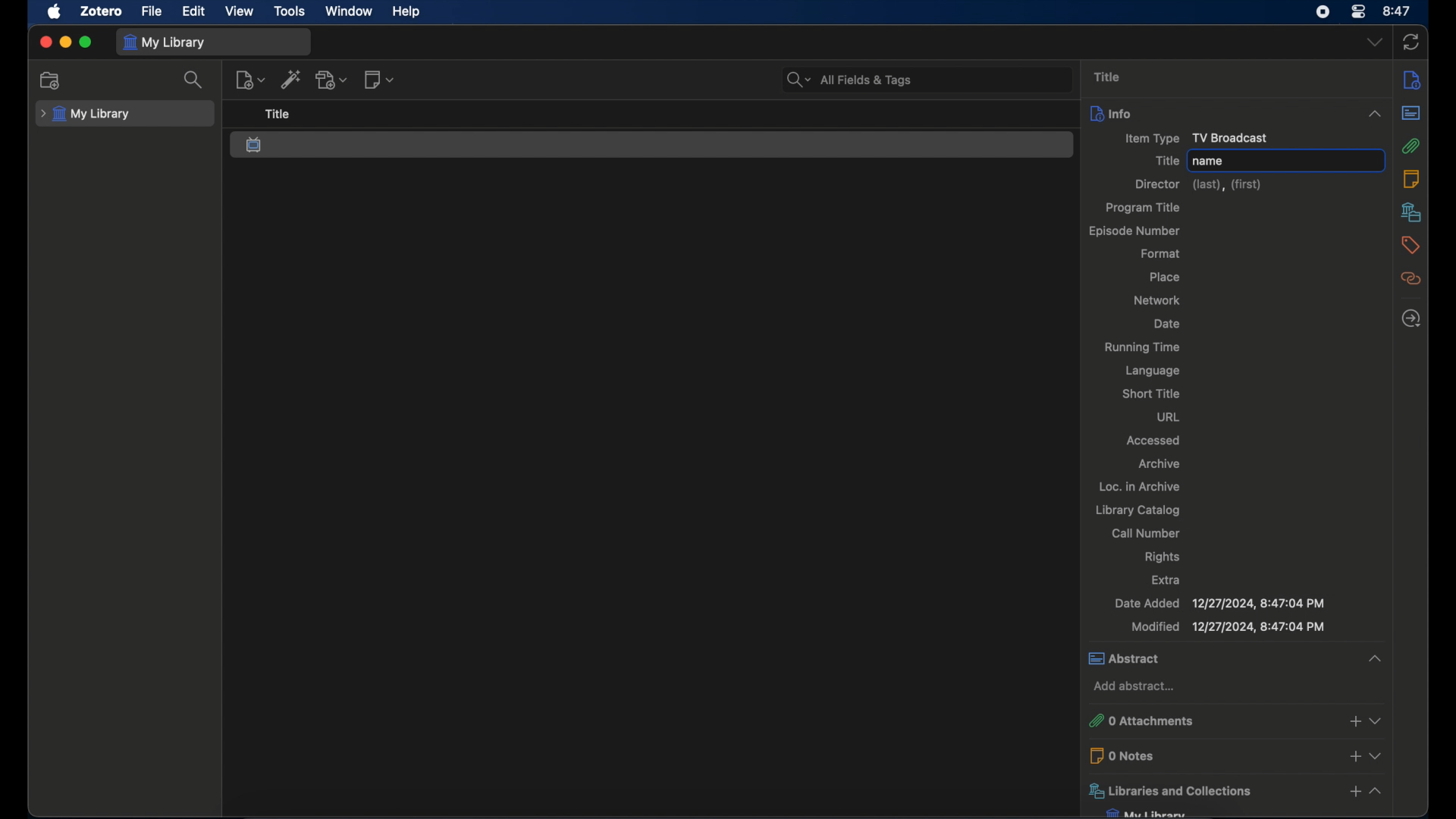 This screenshot has height=819, width=1456. Describe the element at coordinates (1134, 231) in the screenshot. I see `episode number` at that location.